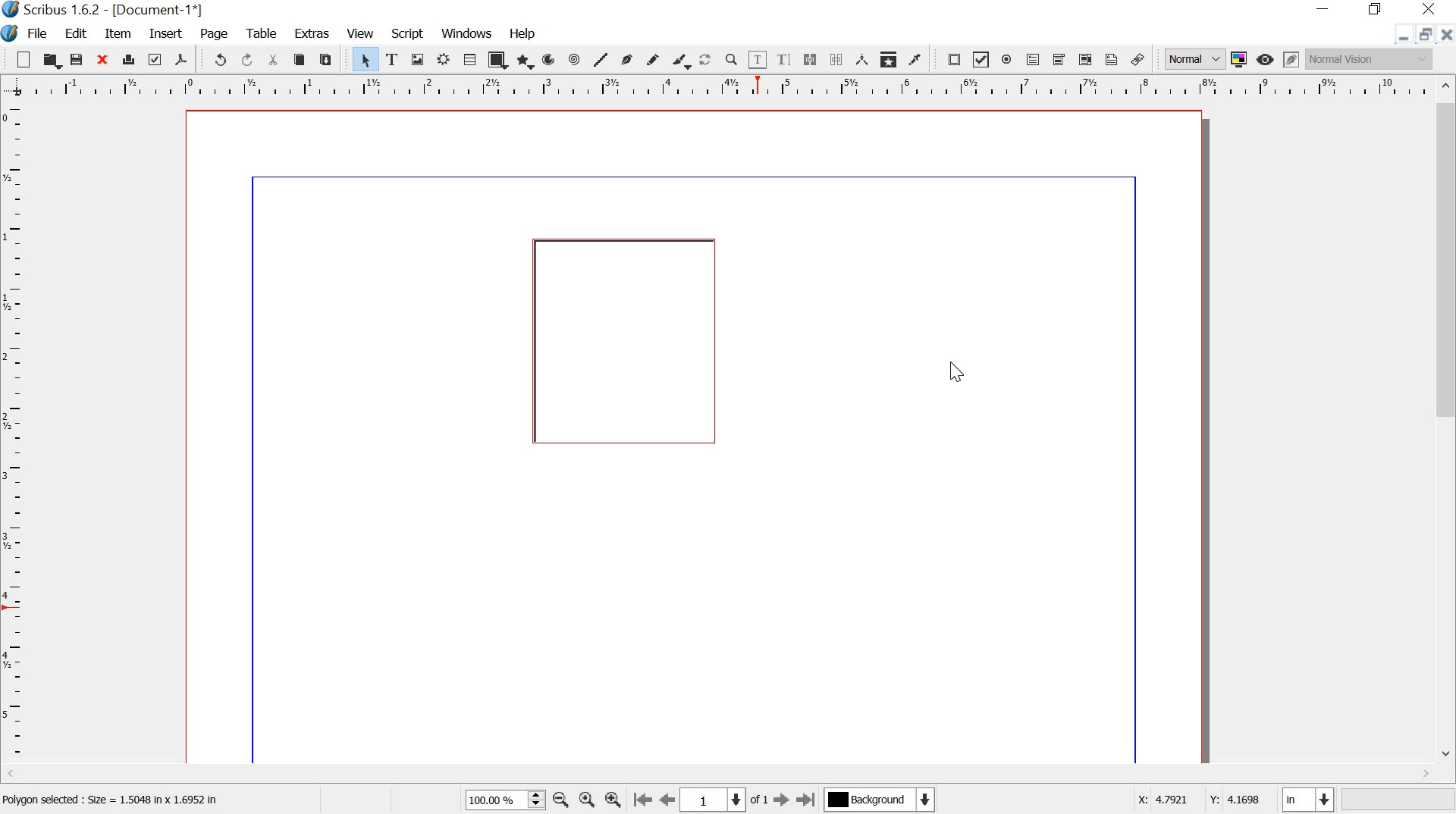 The image size is (1456, 814). Describe the element at coordinates (949, 61) in the screenshot. I see `pdf push button` at that location.